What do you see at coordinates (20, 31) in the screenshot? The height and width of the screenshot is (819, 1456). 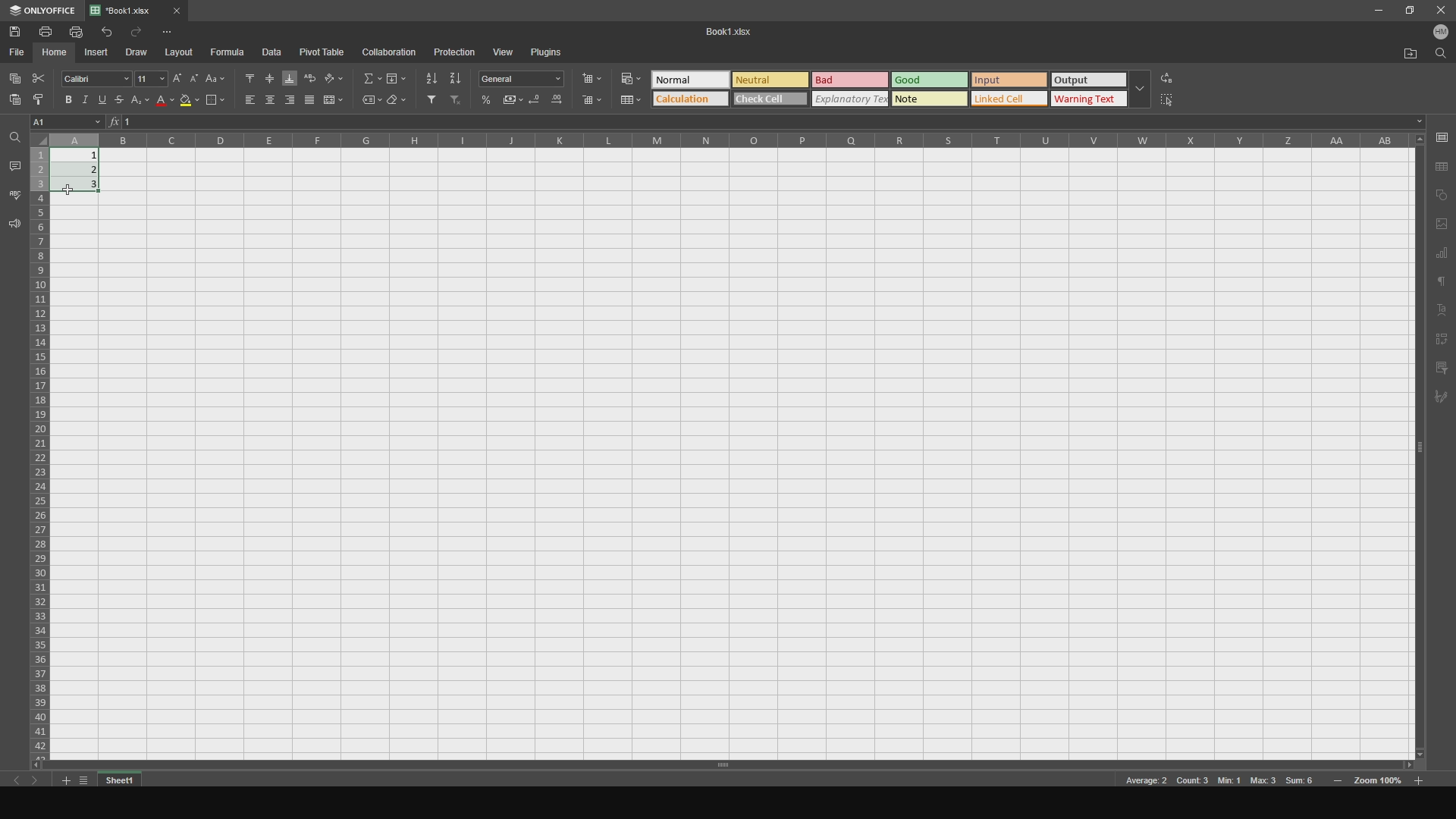 I see `save` at bounding box center [20, 31].